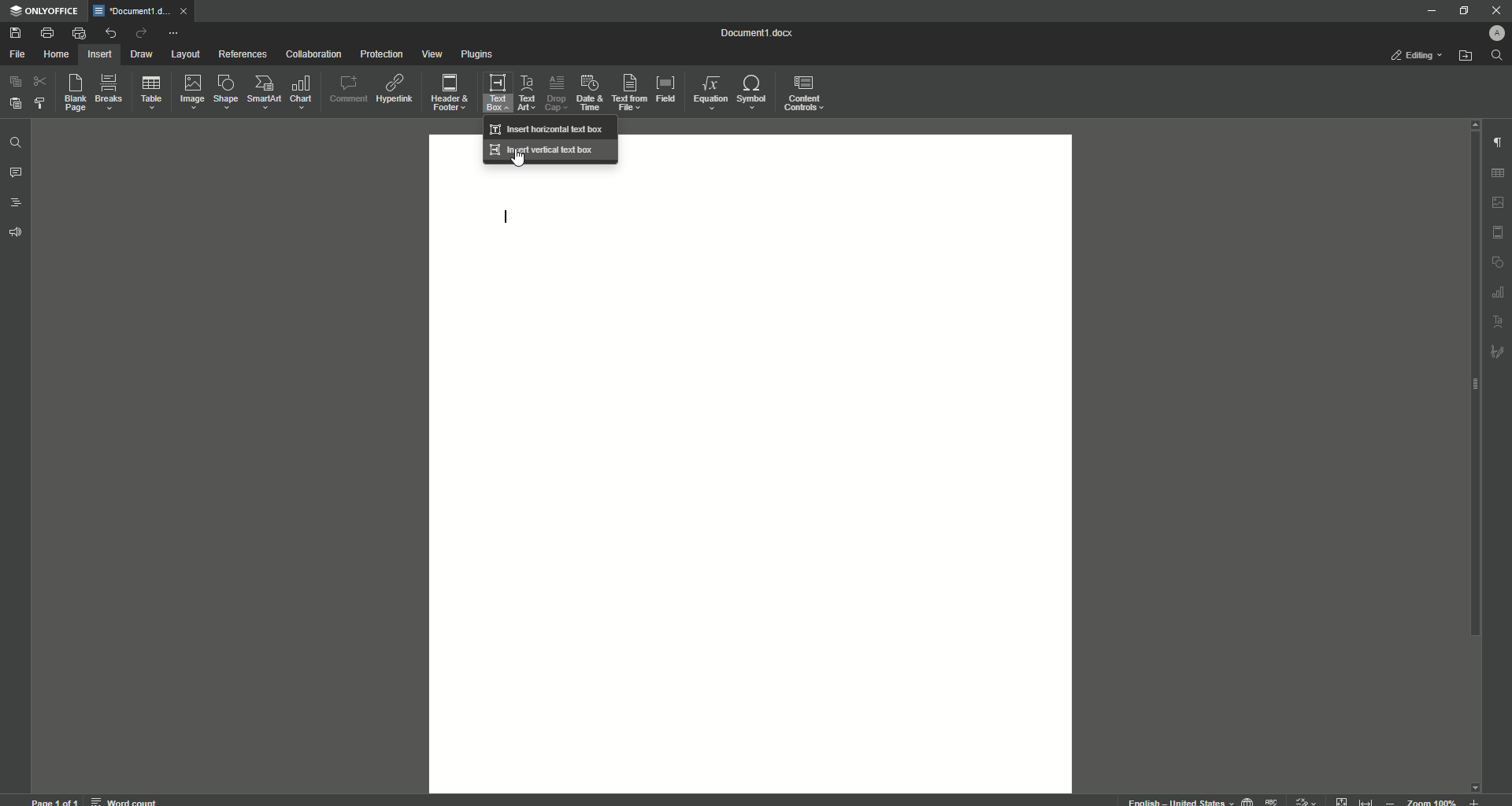  I want to click on Comments, so click(16, 173).